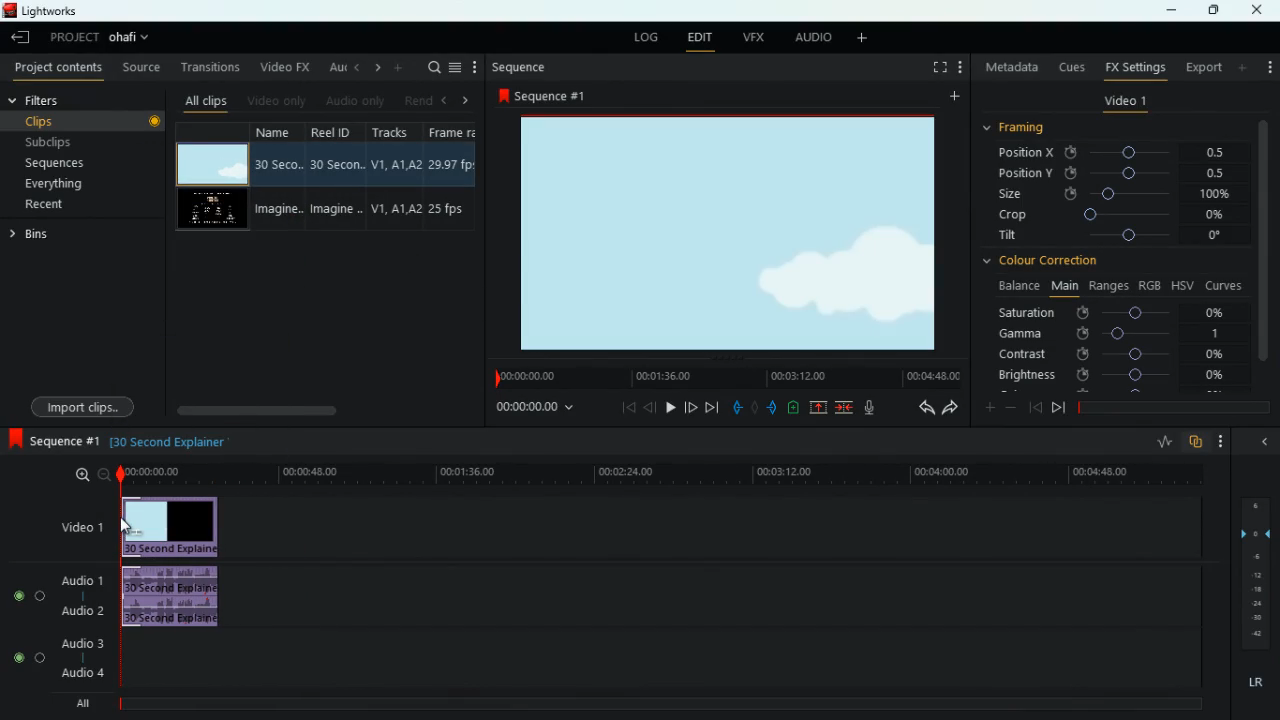 The image size is (1280, 720). Describe the element at coordinates (1202, 67) in the screenshot. I see `export` at that location.